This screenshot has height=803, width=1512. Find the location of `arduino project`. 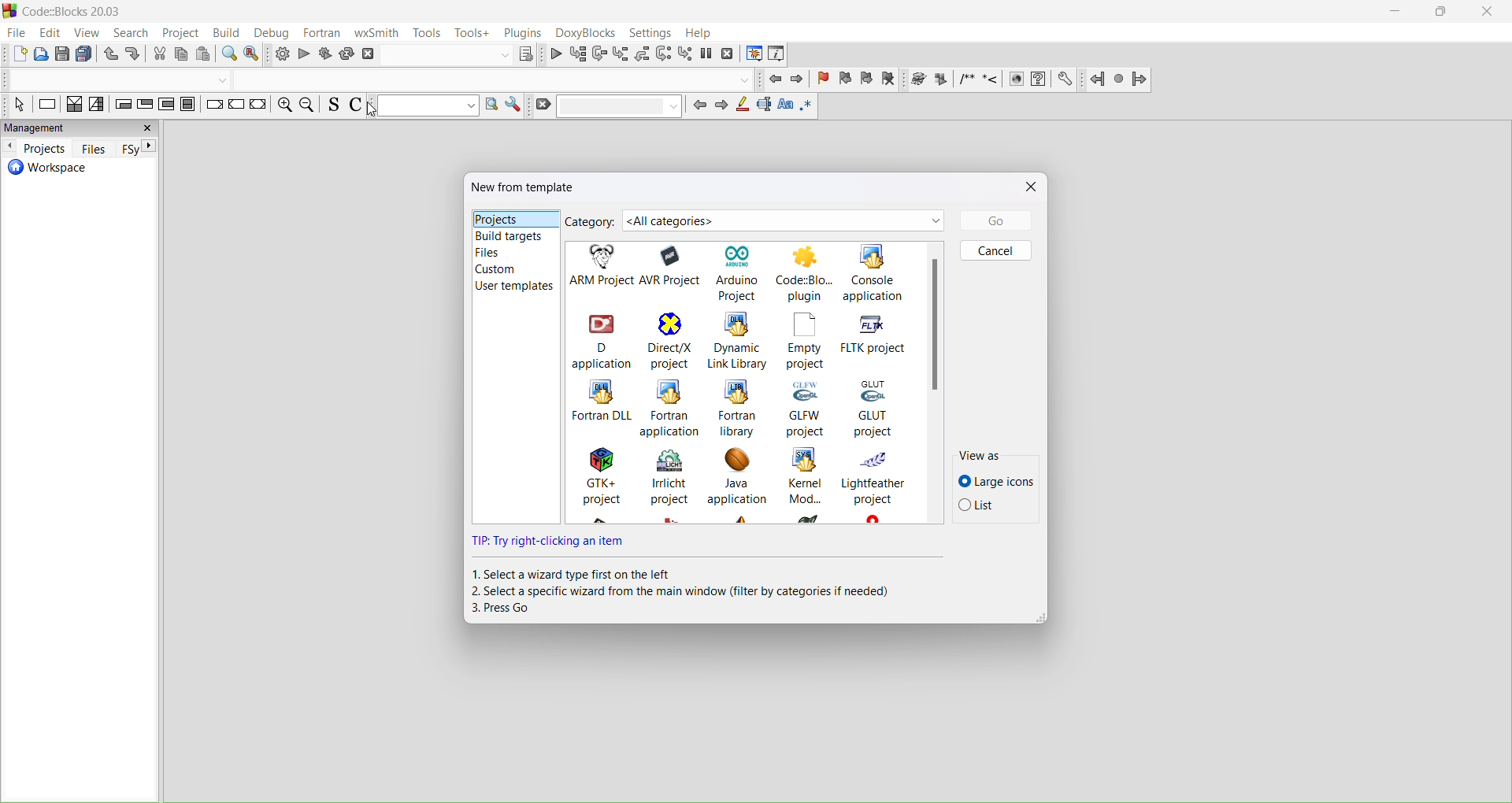

arduino project is located at coordinates (740, 271).